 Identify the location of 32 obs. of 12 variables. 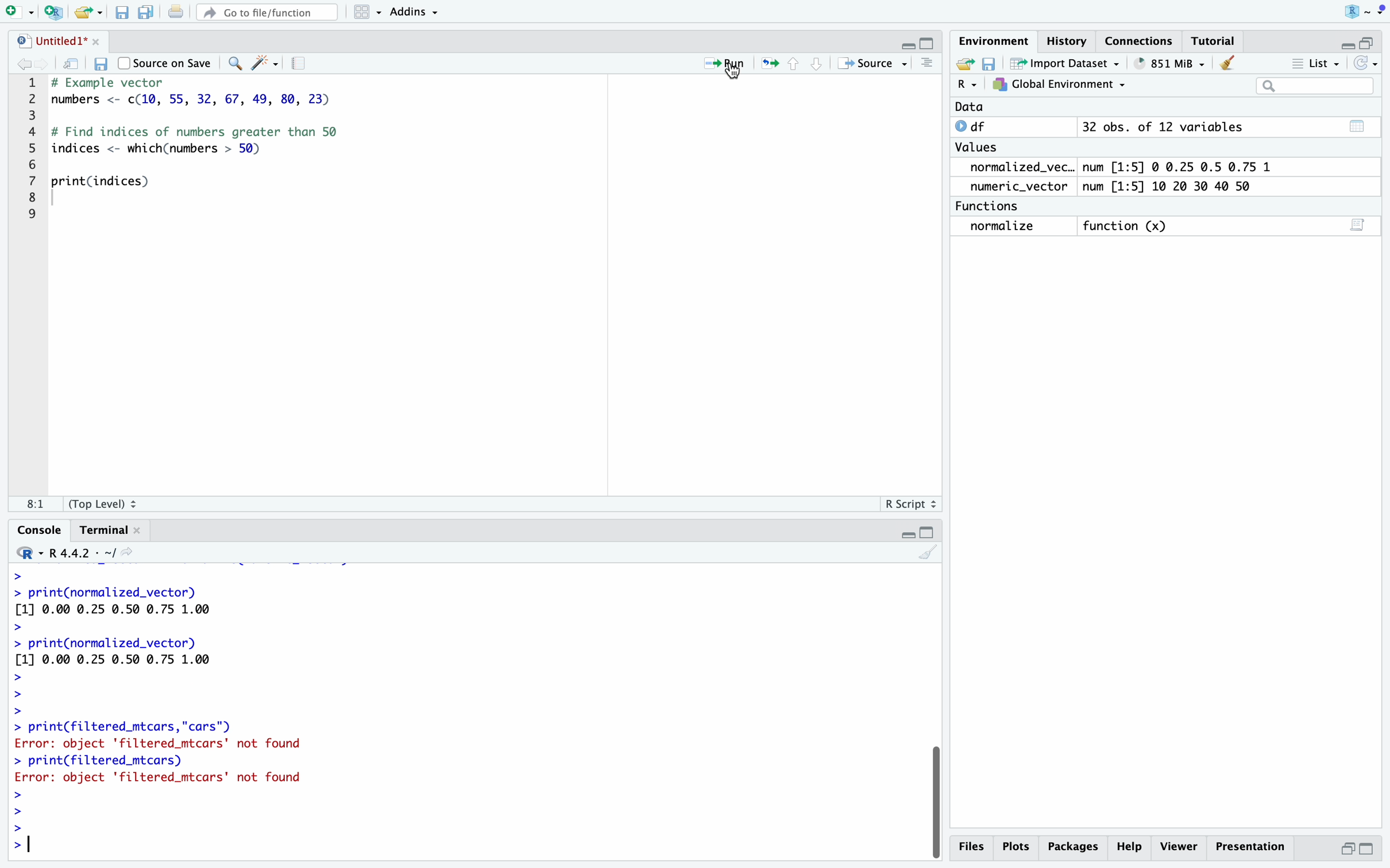
(1227, 130).